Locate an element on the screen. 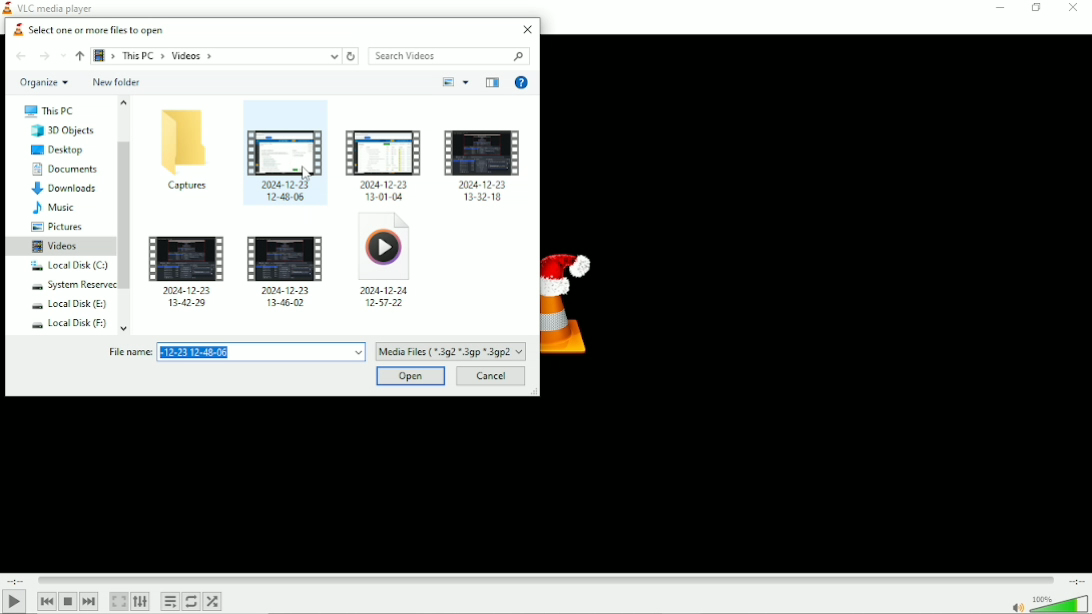 Image resolution: width=1092 pixels, height=614 pixels. Cancel is located at coordinates (490, 376).